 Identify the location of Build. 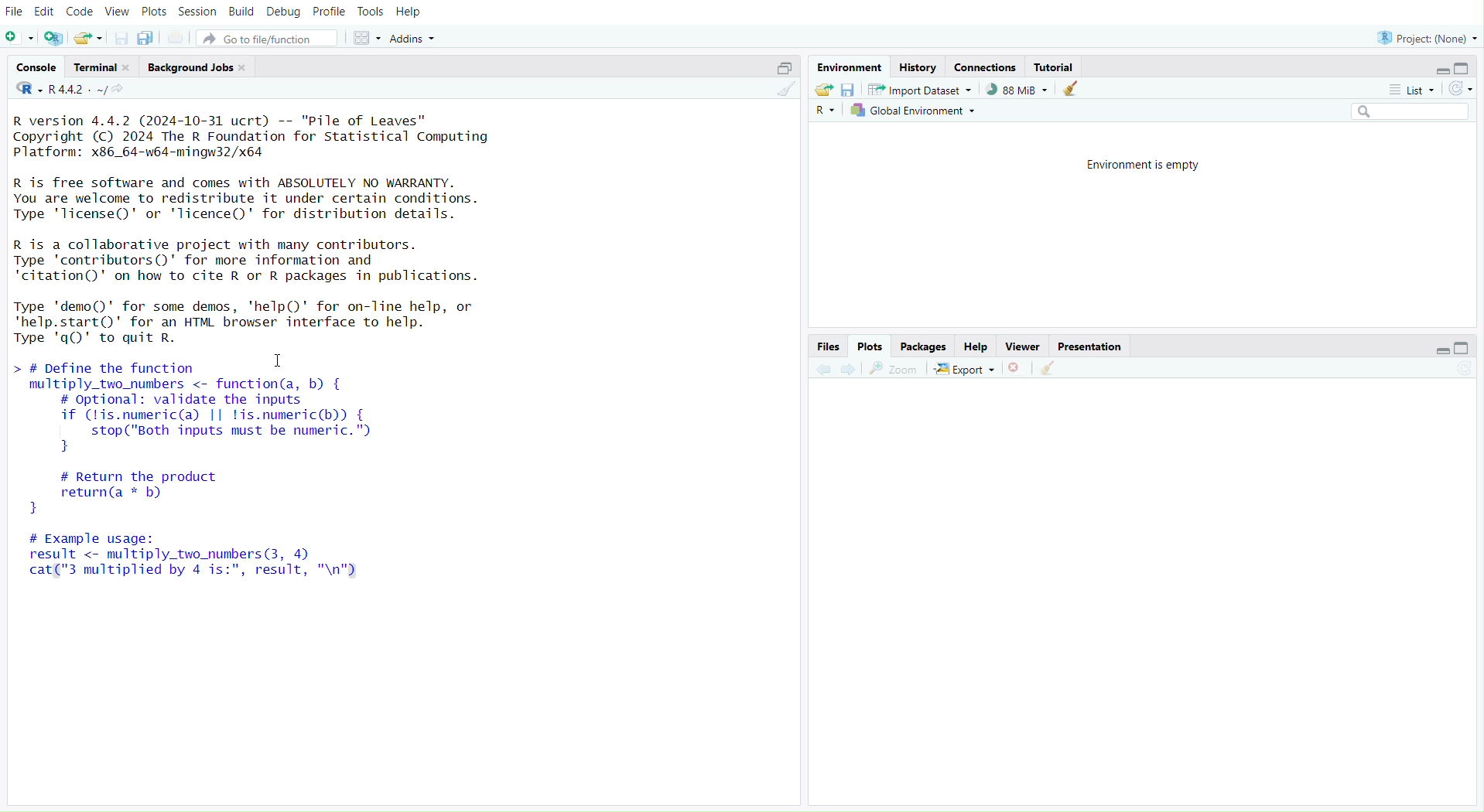
(243, 12).